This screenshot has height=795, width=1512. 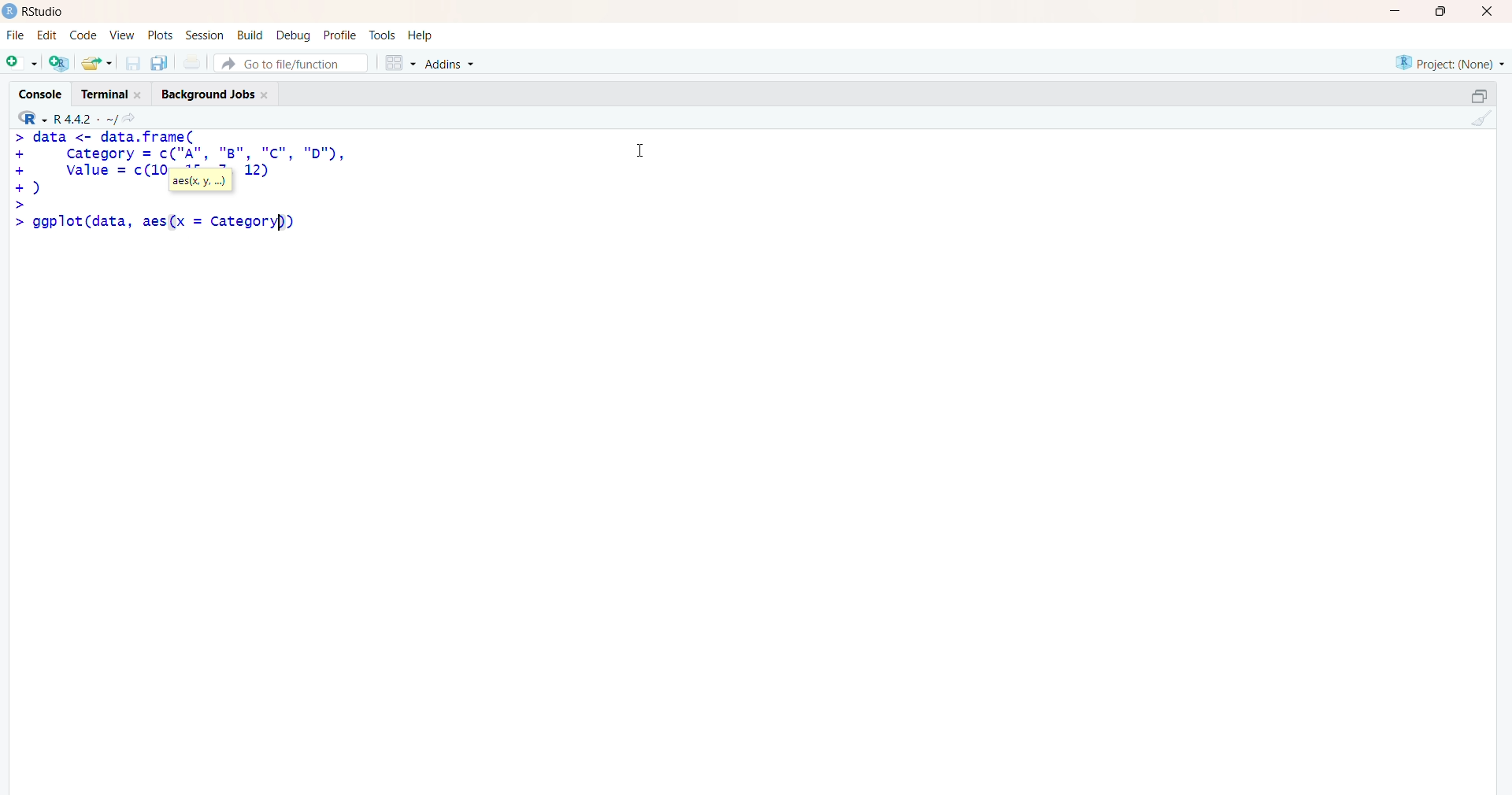 I want to click on Background Jobs, so click(x=214, y=91).